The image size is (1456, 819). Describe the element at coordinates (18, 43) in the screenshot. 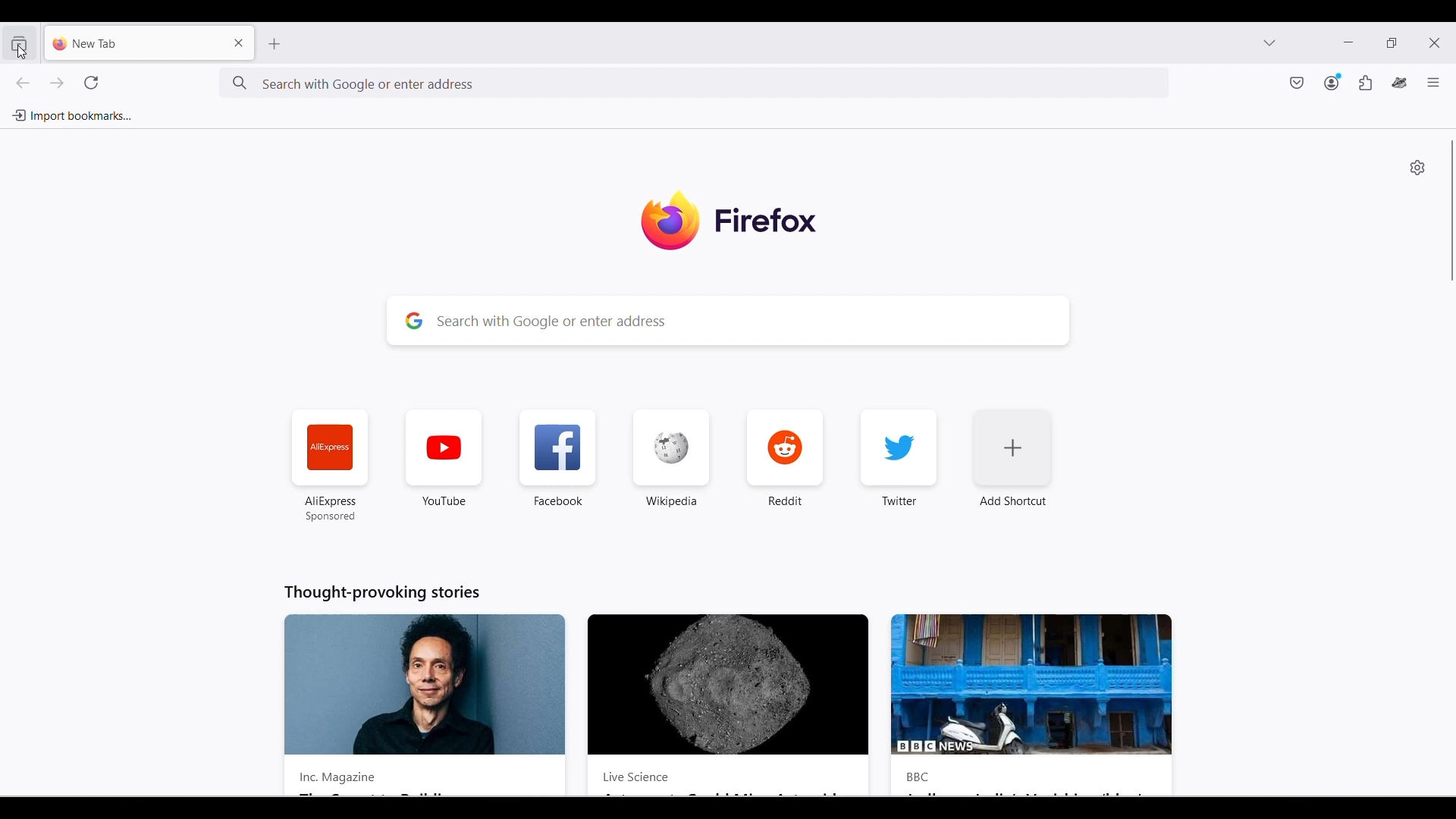

I see `View recent browsing across windows and devices` at that location.